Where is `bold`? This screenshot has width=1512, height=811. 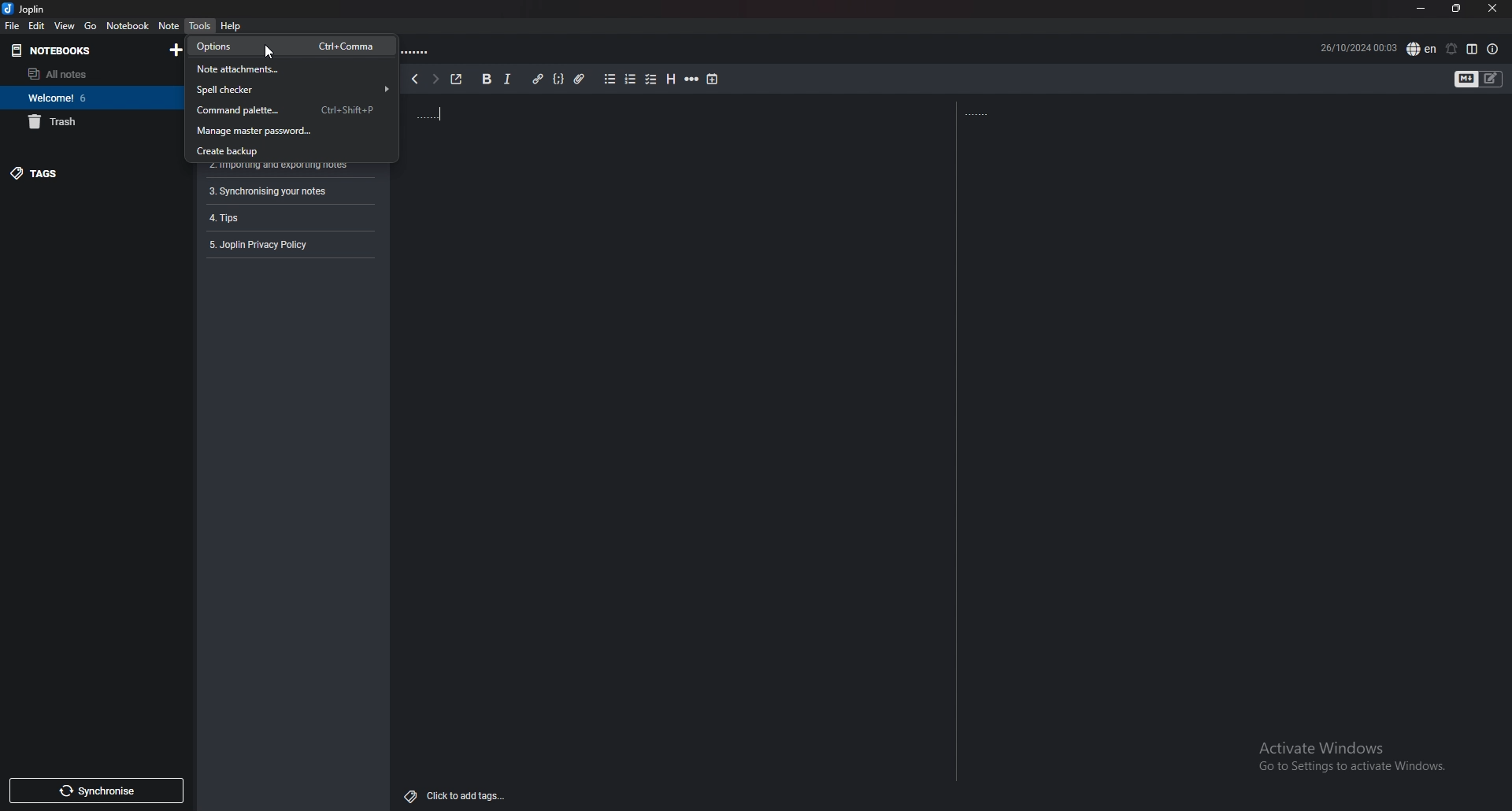 bold is located at coordinates (486, 78).